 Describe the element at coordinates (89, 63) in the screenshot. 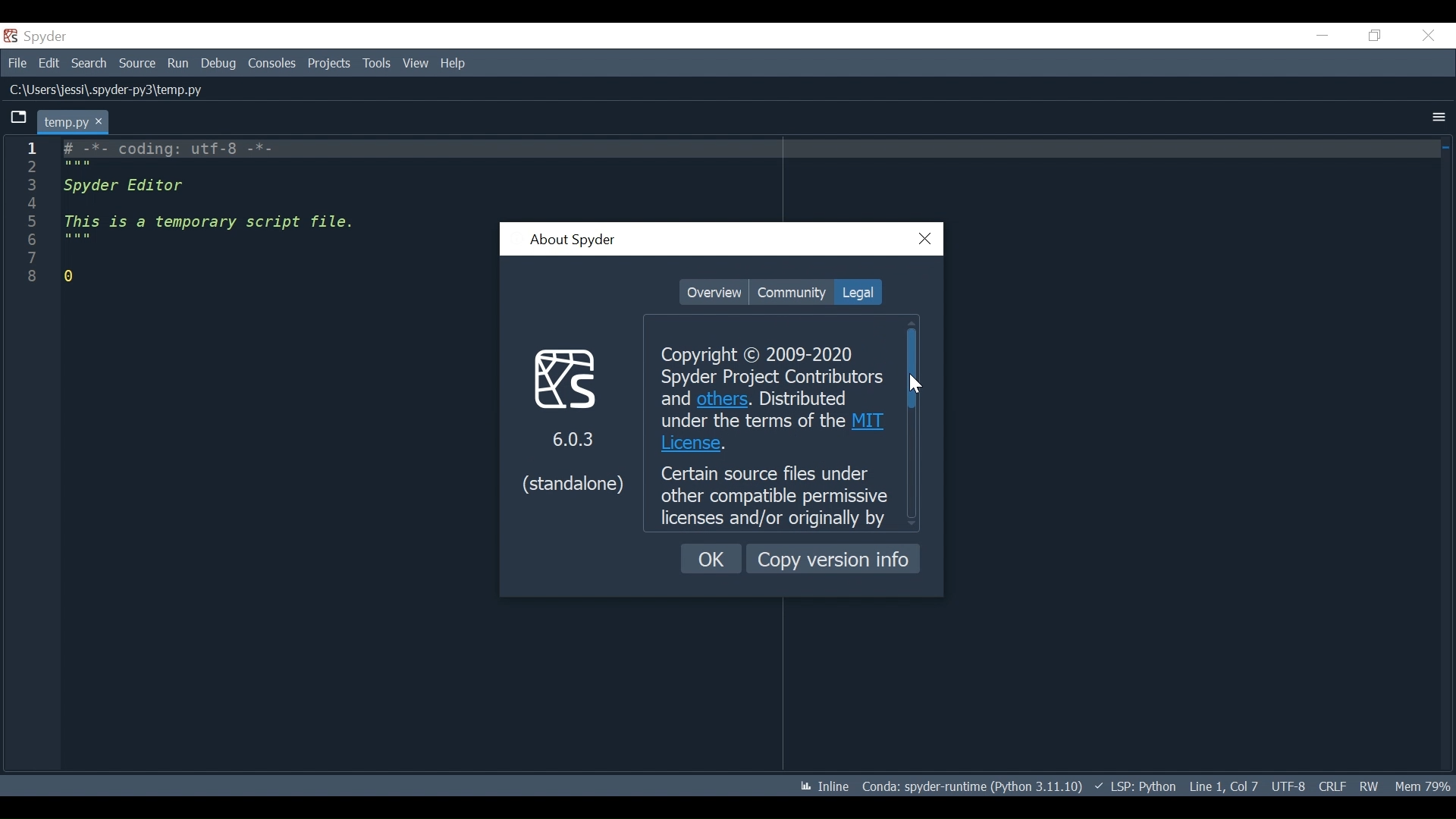

I see `Search` at that location.